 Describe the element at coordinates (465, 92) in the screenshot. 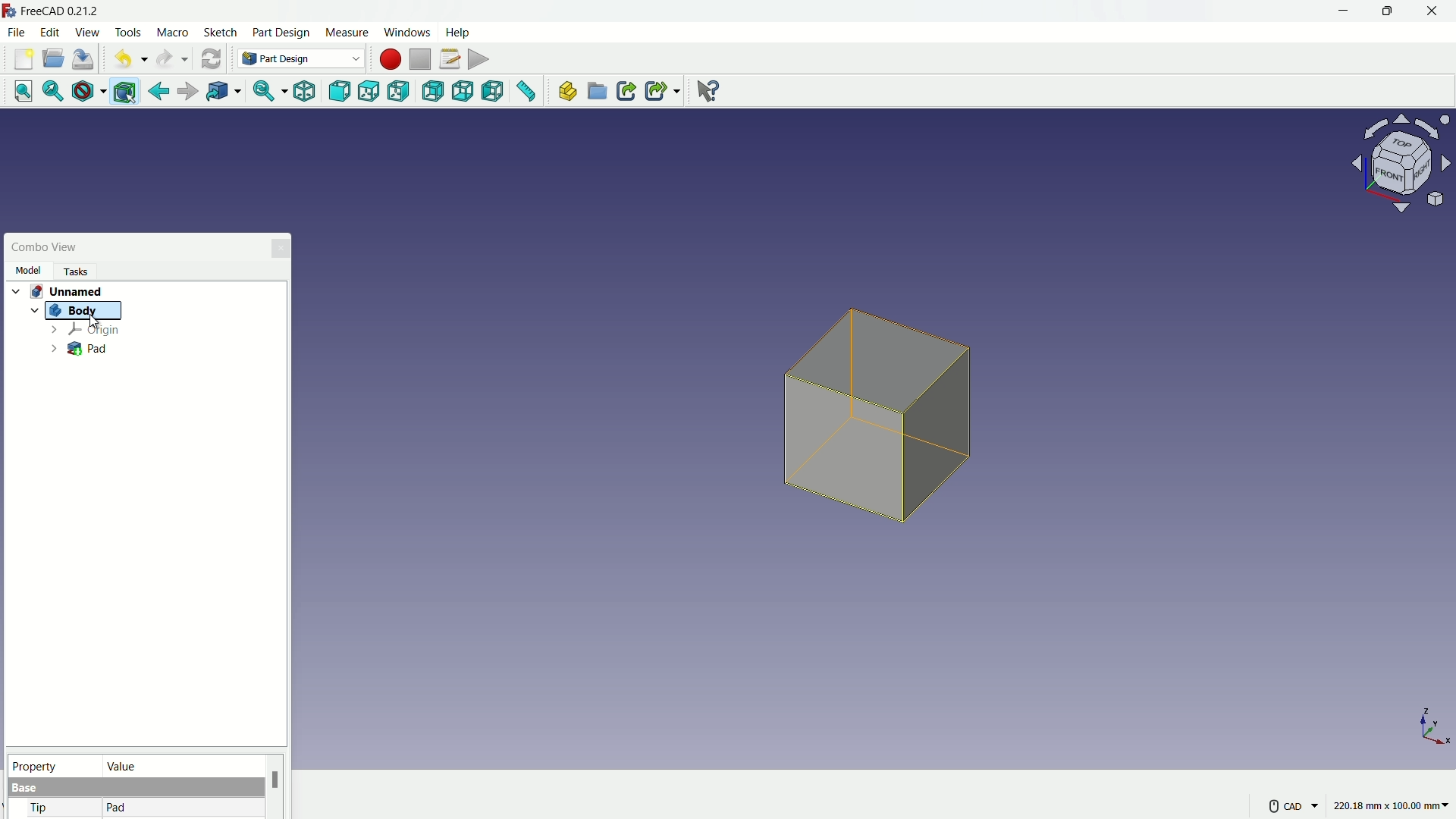

I see `bottom view` at that location.